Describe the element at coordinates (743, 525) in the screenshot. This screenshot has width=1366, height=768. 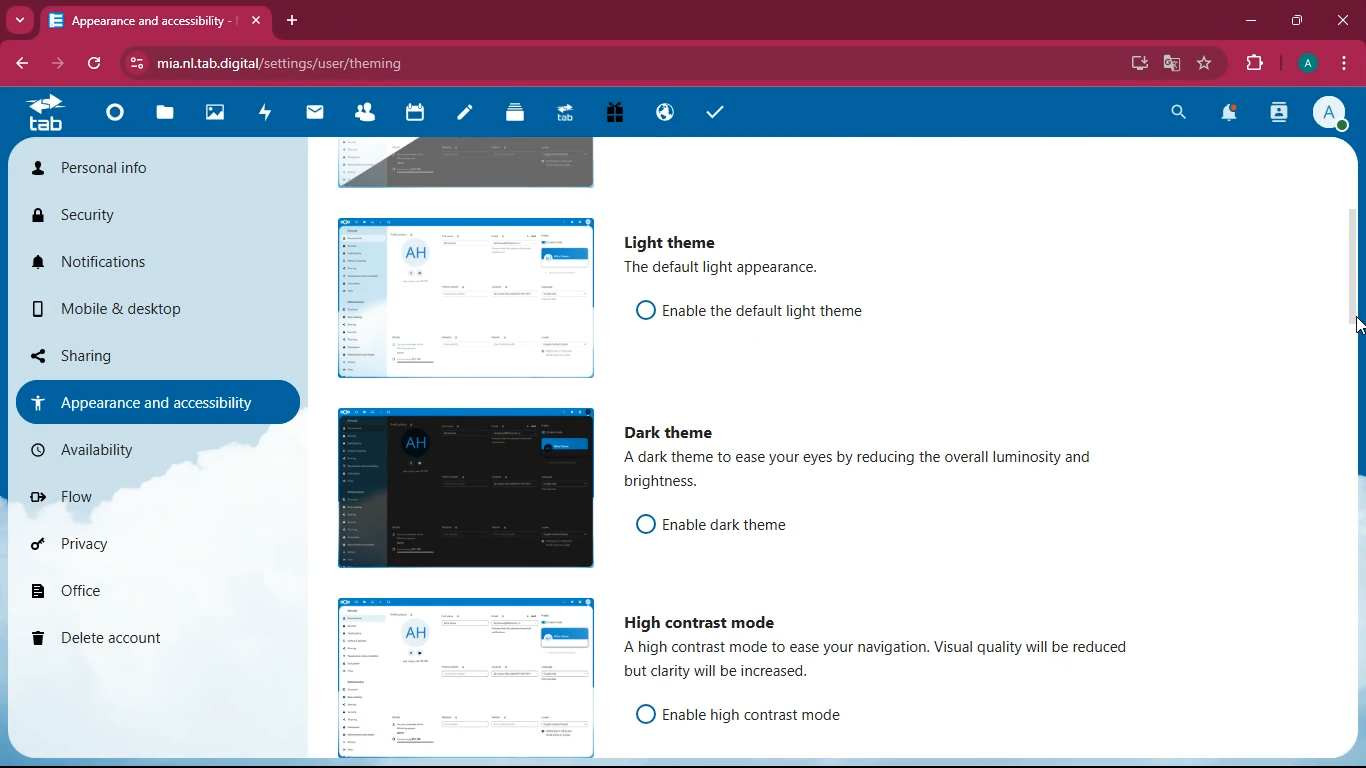
I see `enable` at that location.